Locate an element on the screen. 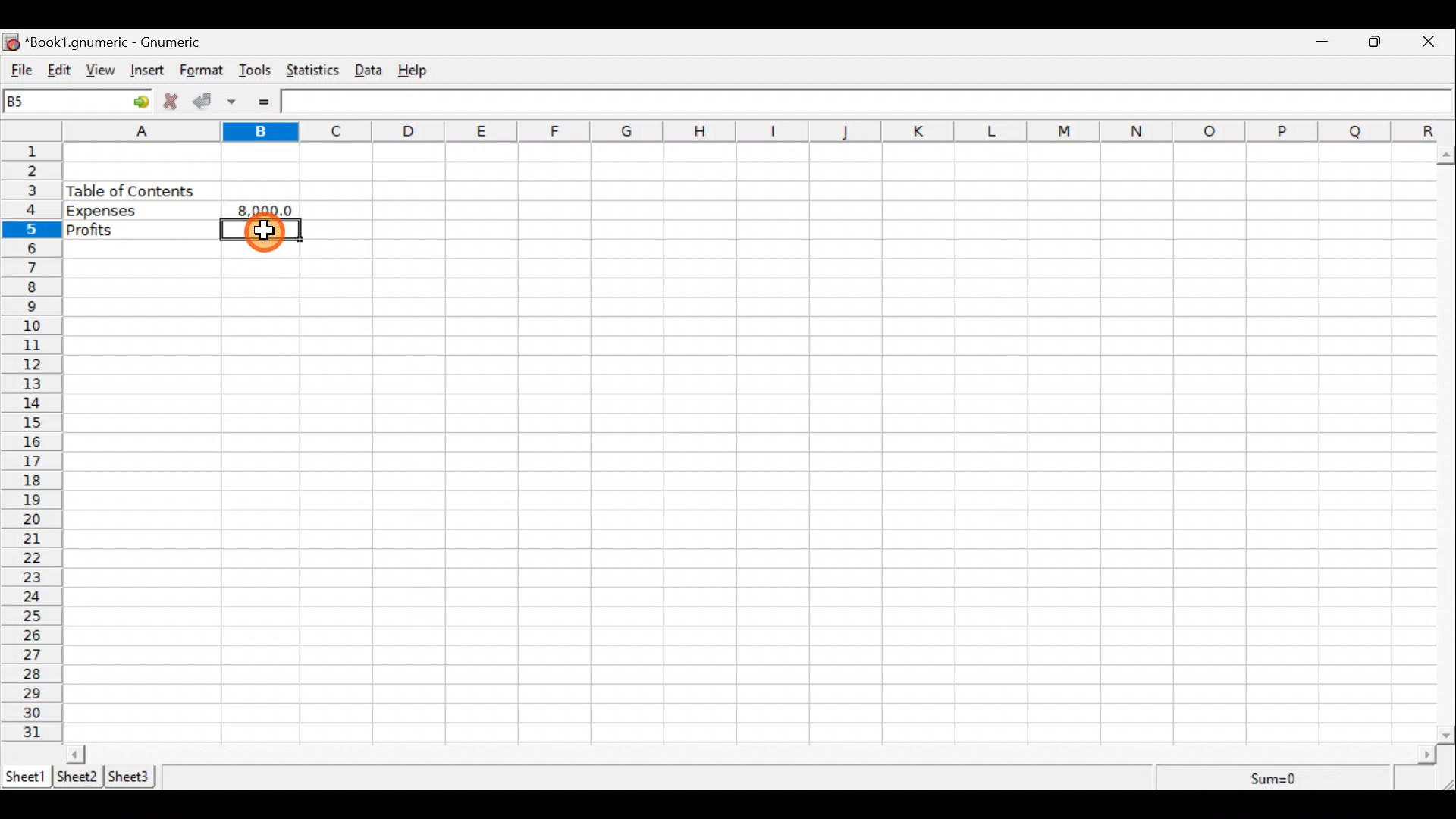 This screenshot has width=1456, height=819. Accept change in multiple cells is located at coordinates (237, 102).